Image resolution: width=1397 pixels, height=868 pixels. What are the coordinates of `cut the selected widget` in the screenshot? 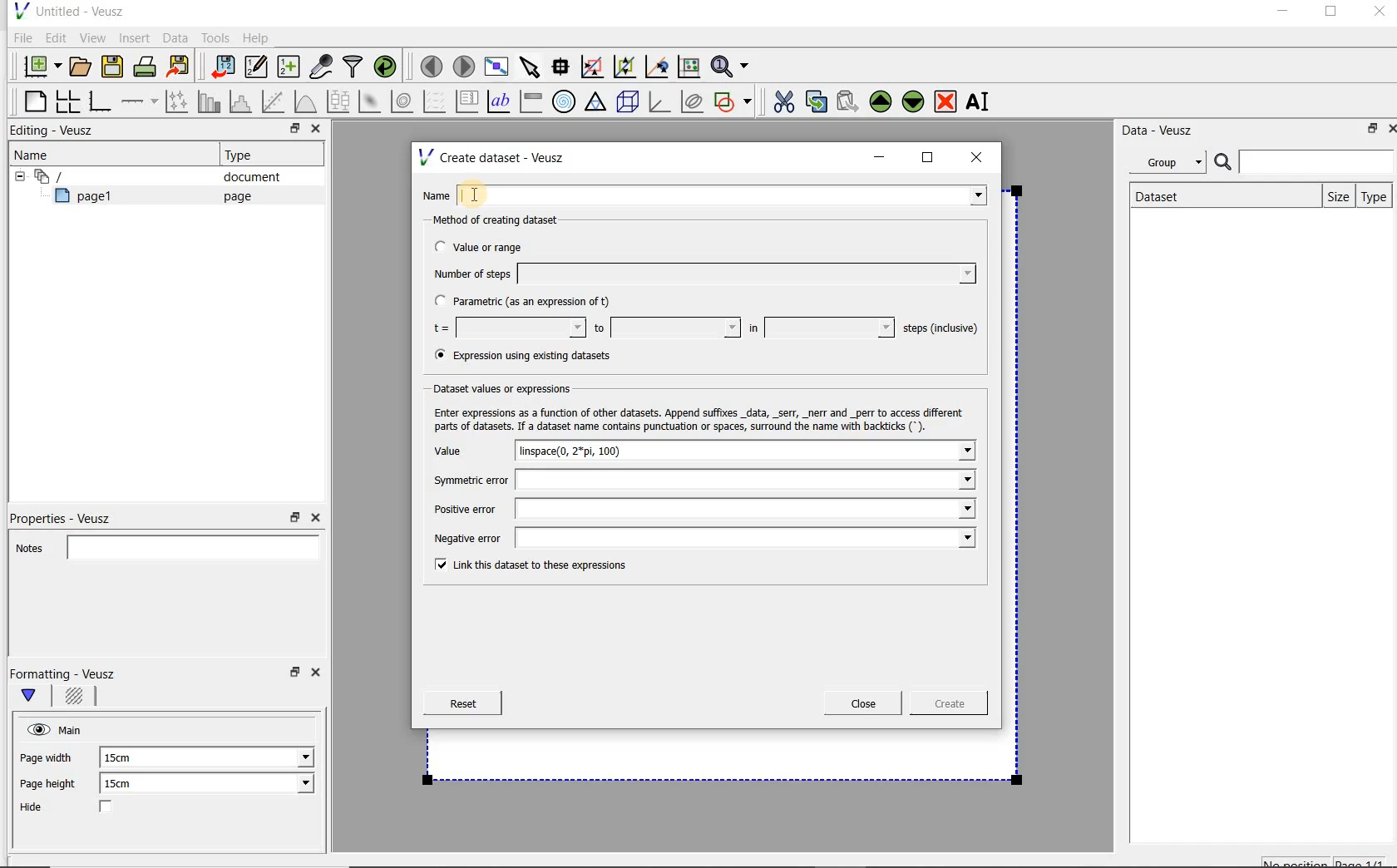 It's located at (781, 100).